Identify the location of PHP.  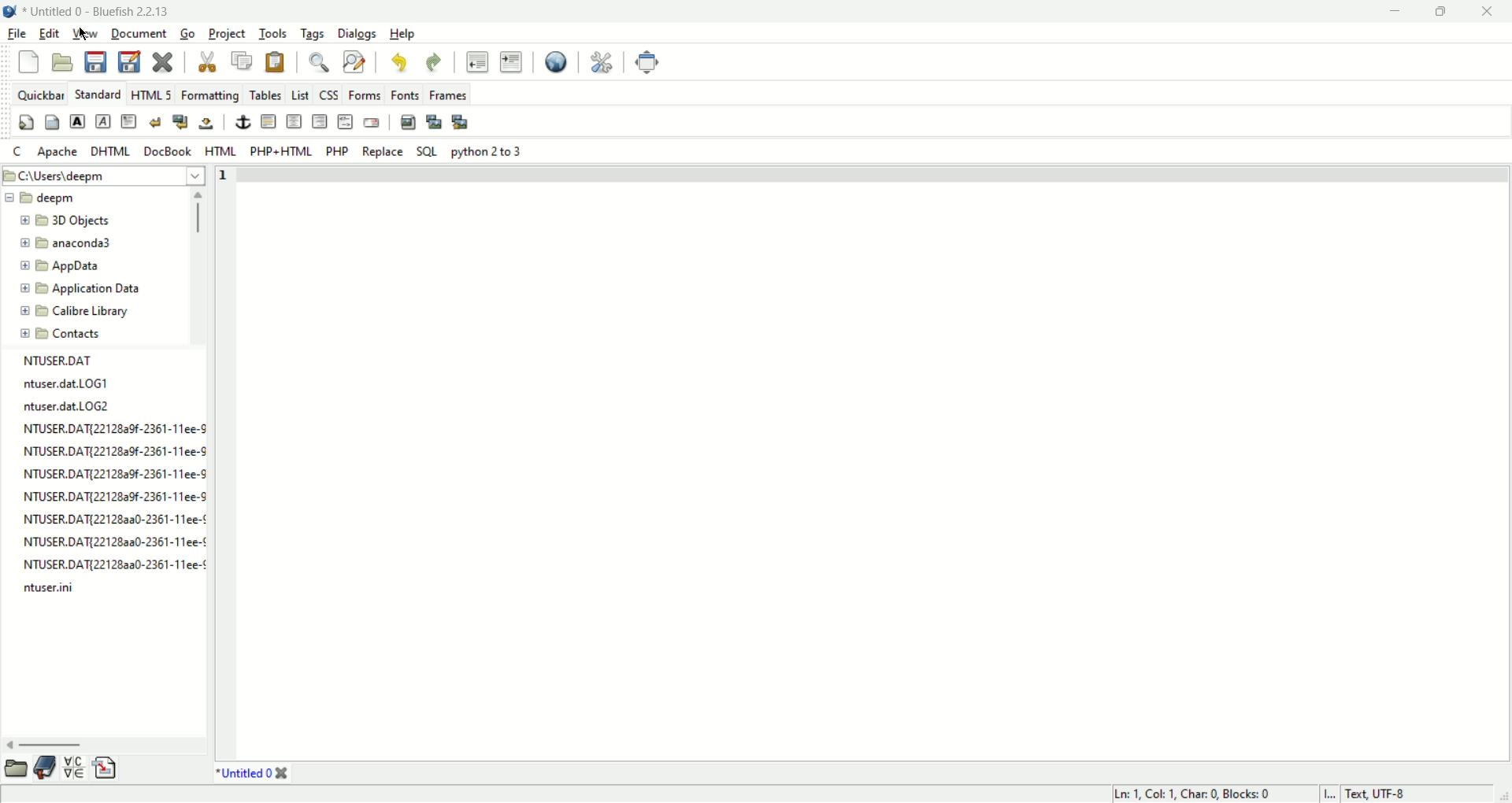
(339, 150).